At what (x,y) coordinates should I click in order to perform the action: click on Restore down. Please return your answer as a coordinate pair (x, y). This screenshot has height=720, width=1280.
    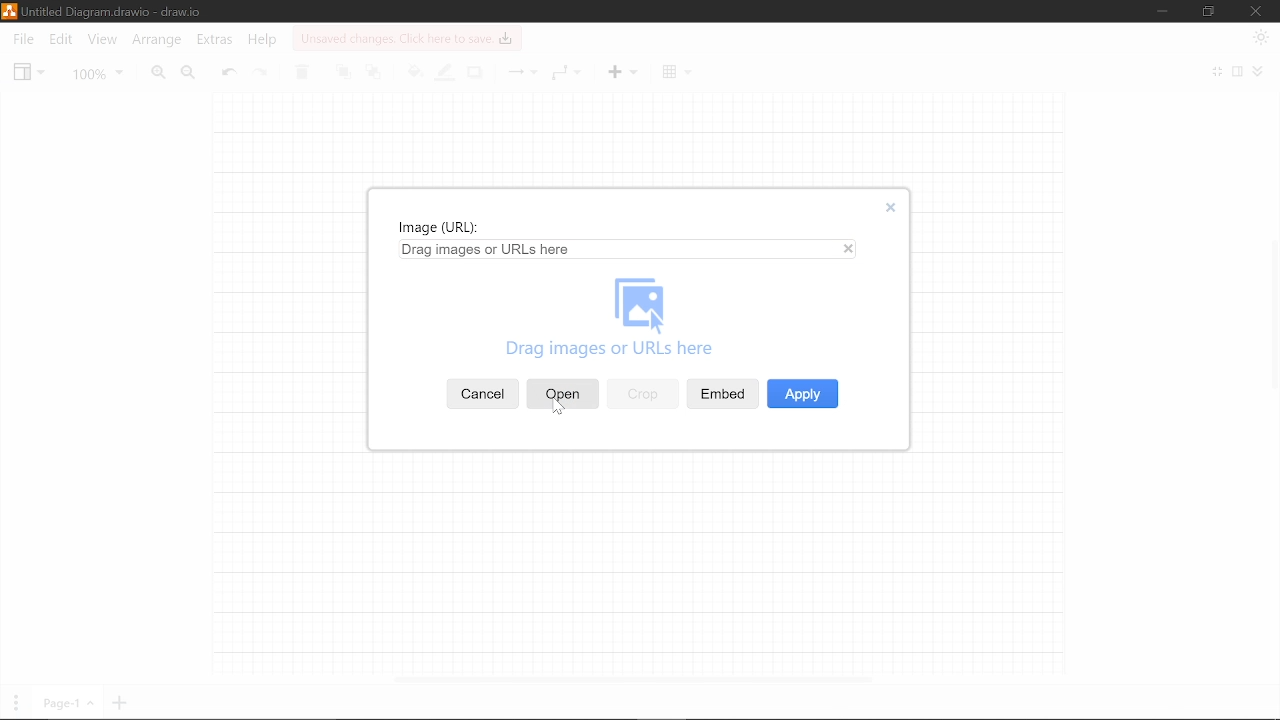
    Looking at the image, I should click on (1209, 12).